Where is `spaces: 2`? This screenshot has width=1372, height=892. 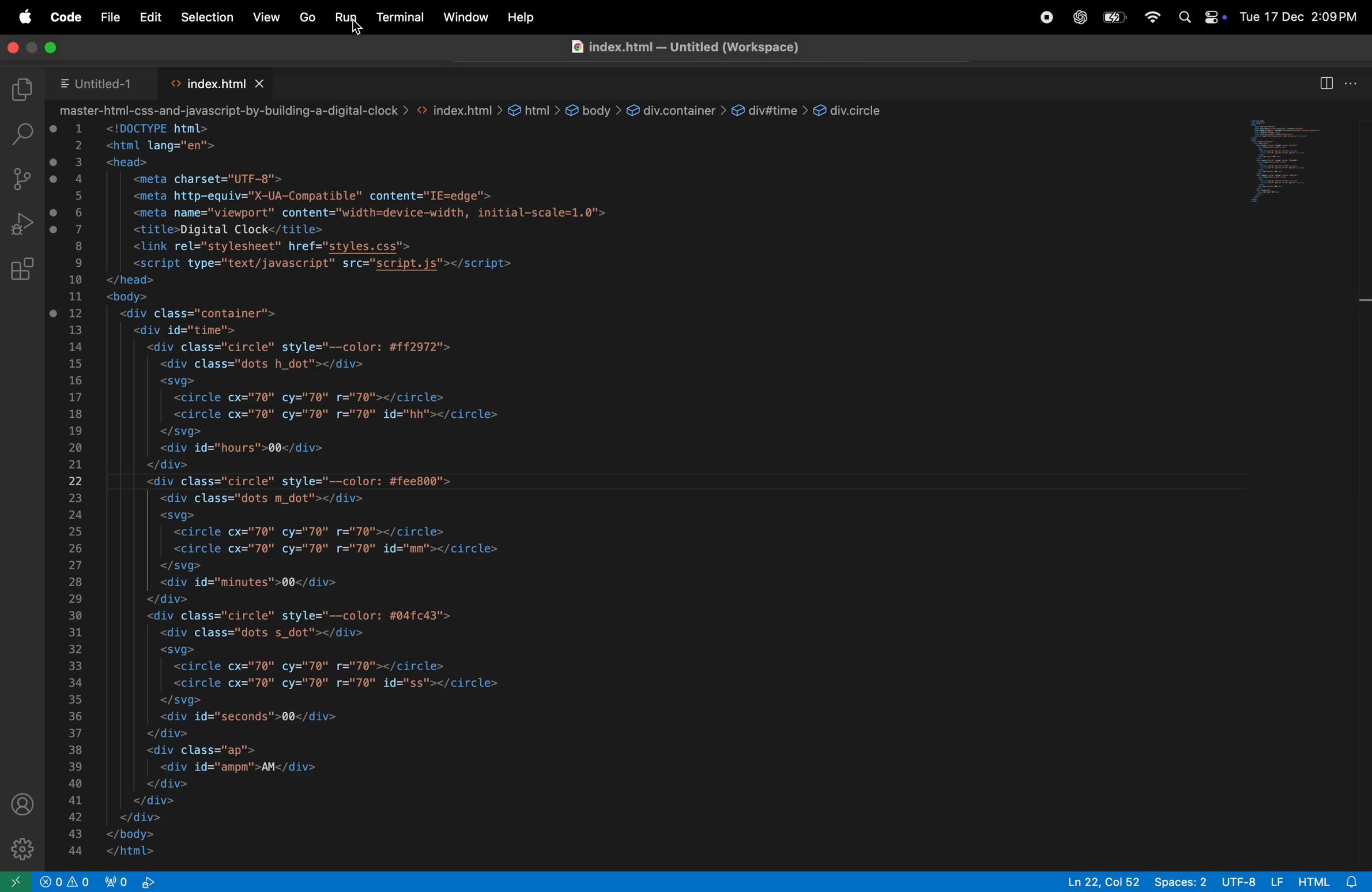
spaces: 2 is located at coordinates (1179, 881).